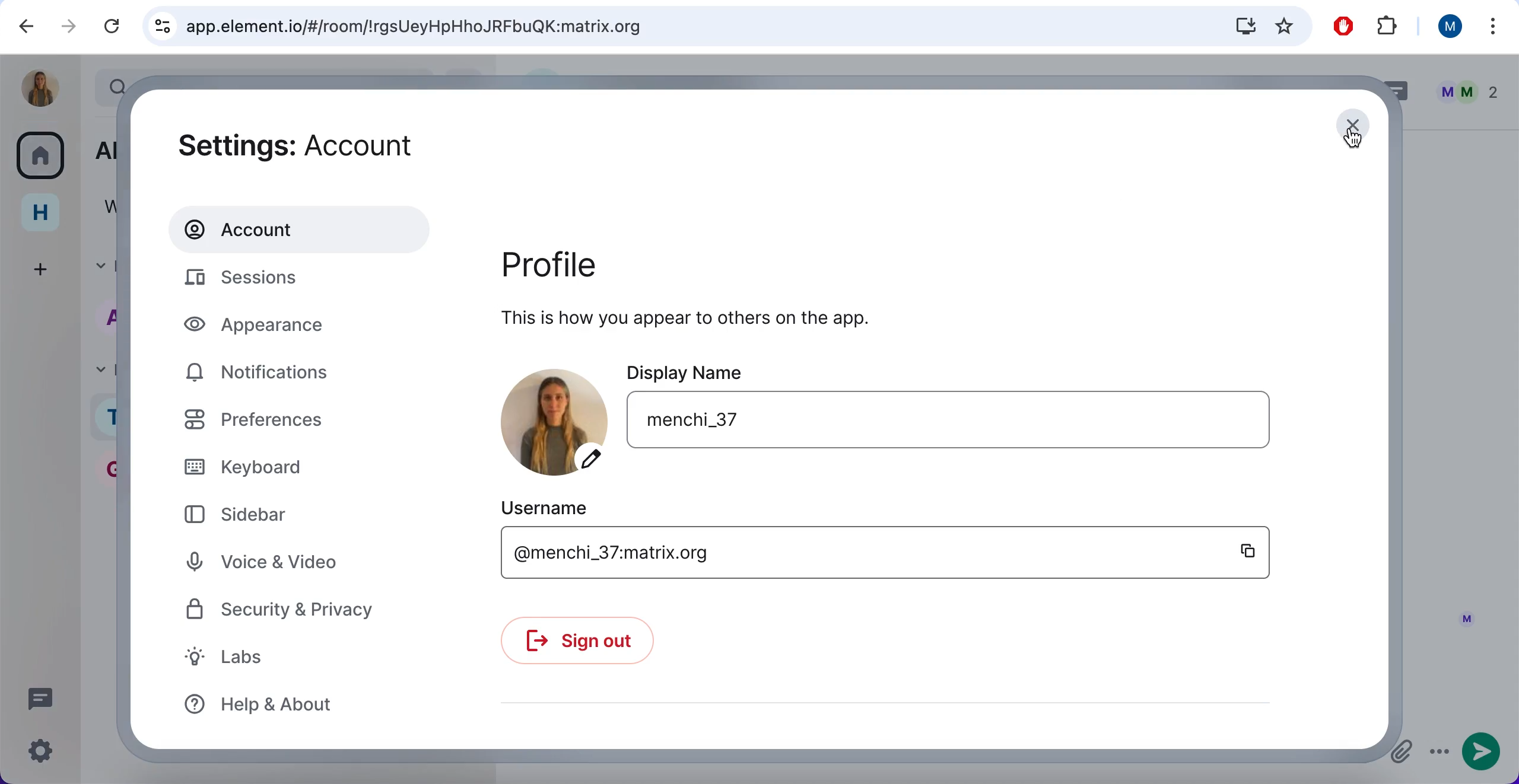  What do you see at coordinates (40, 85) in the screenshot?
I see `user - profile photo added` at bounding box center [40, 85].